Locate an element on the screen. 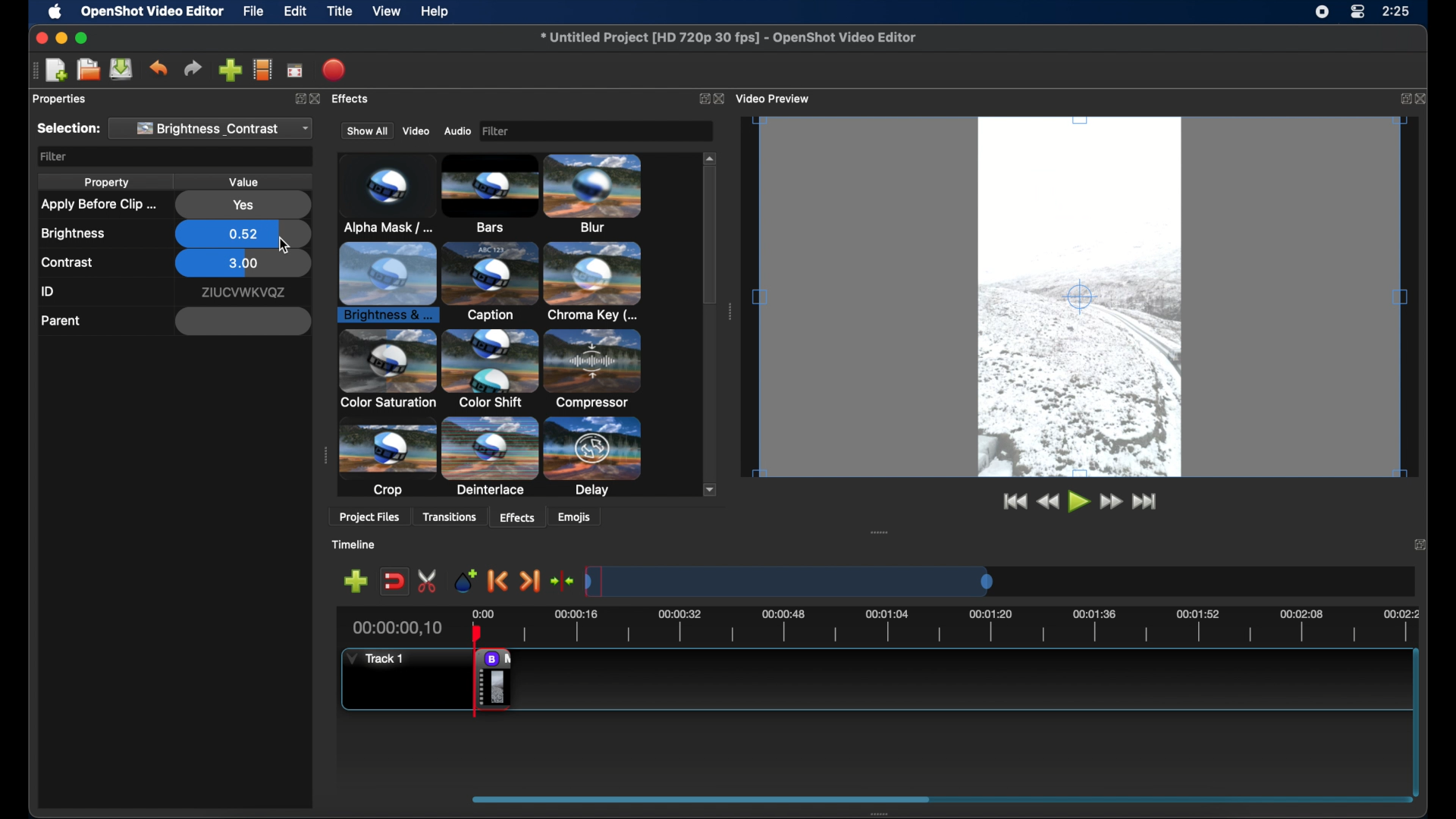  jump to end is located at coordinates (1149, 504).